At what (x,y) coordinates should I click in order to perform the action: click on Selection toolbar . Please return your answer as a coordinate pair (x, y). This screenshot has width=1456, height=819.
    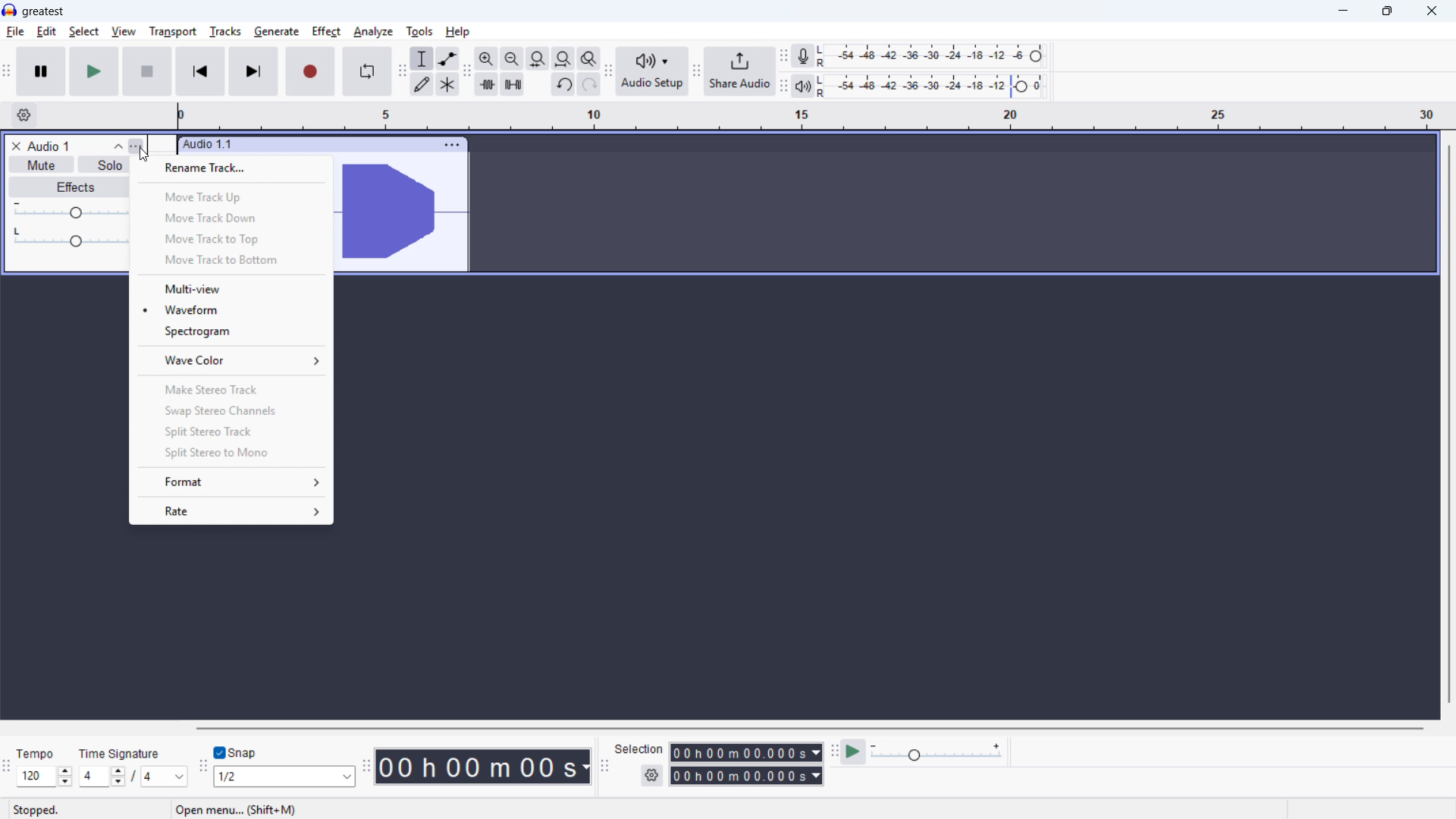
    Looking at the image, I should click on (606, 769).